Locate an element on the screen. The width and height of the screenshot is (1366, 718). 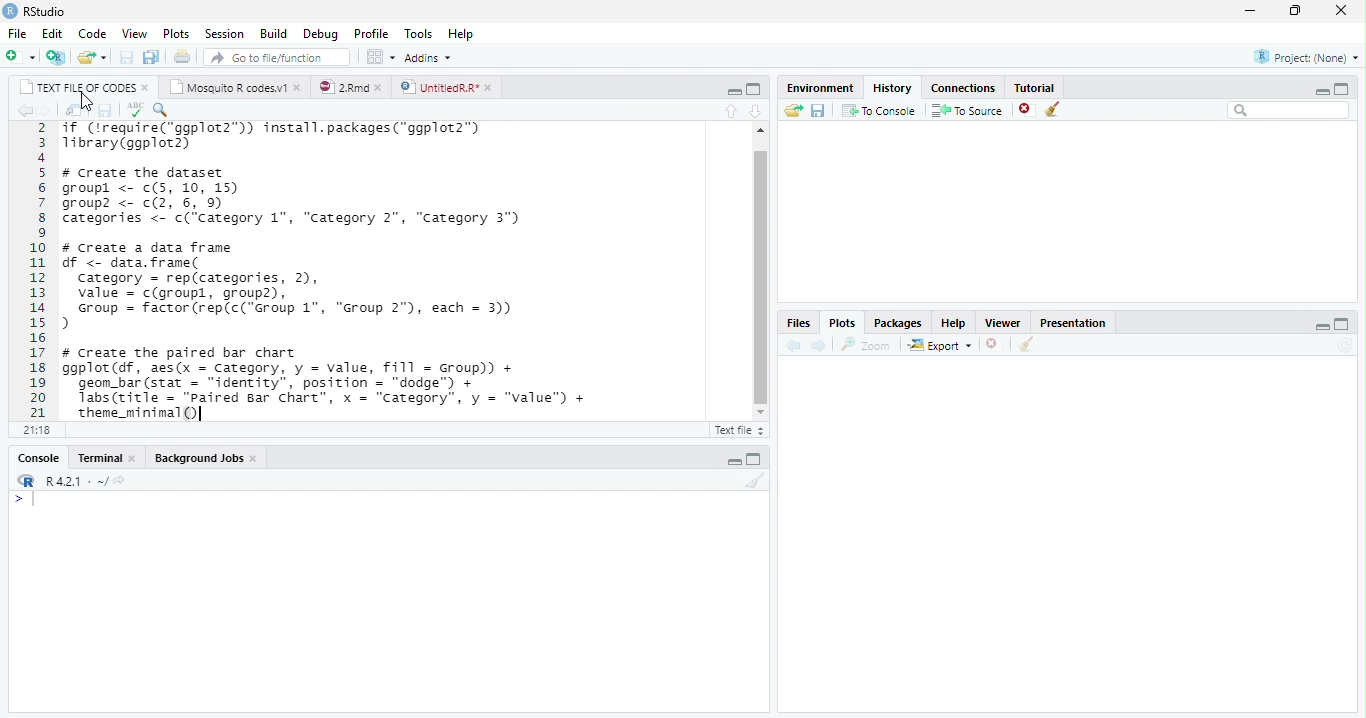
maximize is located at coordinates (1346, 89).